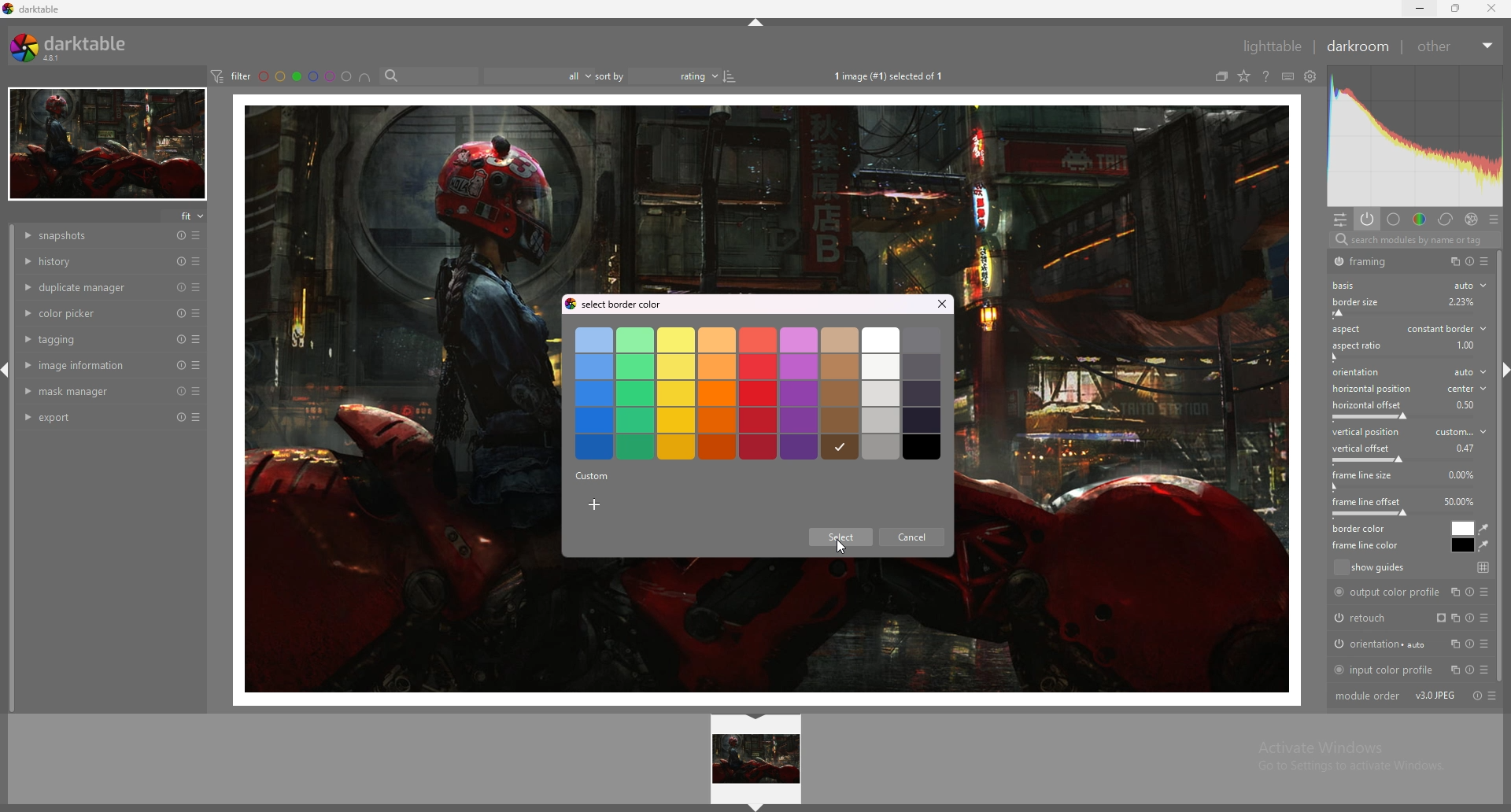 Image resolution: width=1511 pixels, height=812 pixels. Describe the element at coordinates (1369, 405) in the screenshot. I see `horizontal offset` at that location.